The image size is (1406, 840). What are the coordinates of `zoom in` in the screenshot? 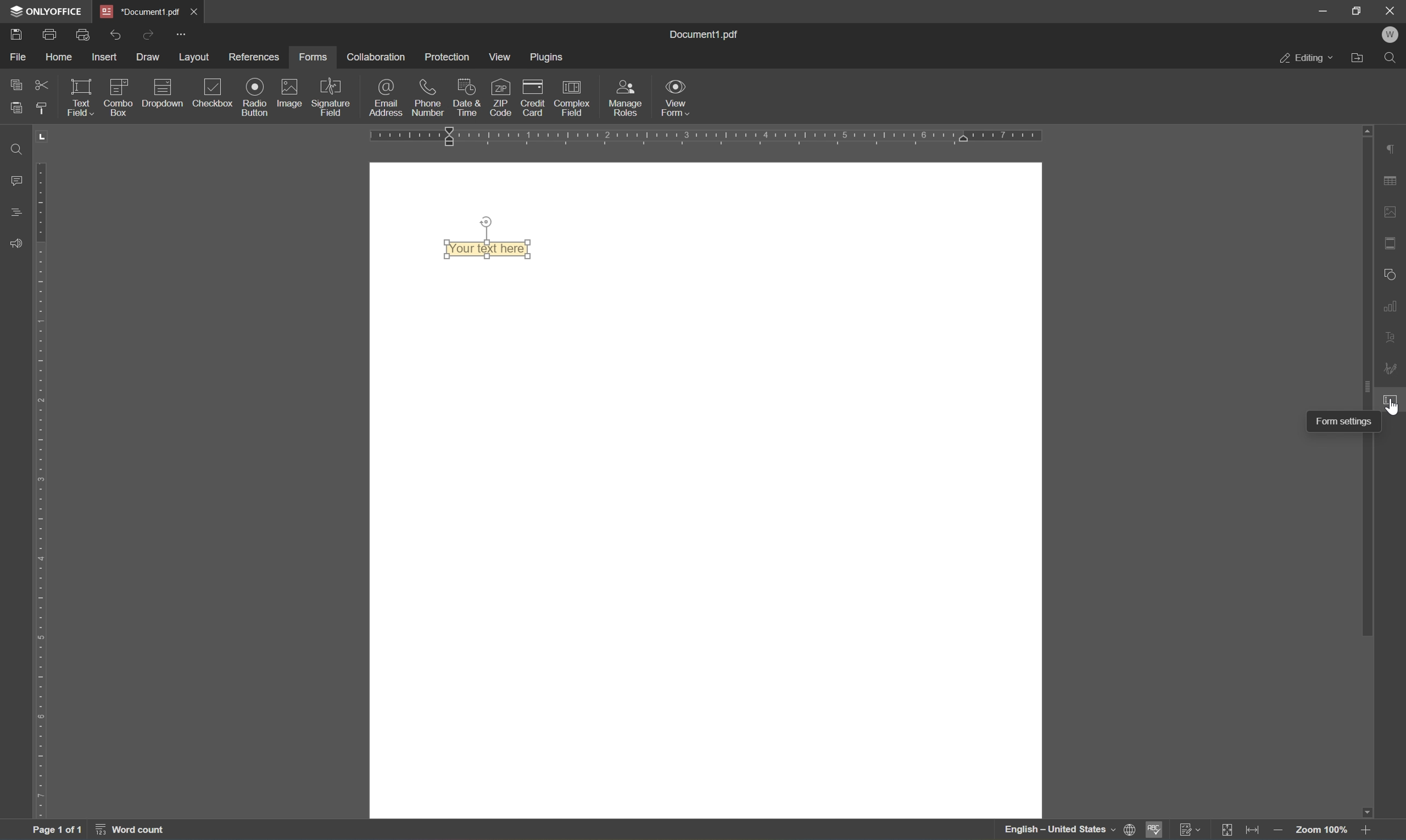 It's located at (1369, 831).